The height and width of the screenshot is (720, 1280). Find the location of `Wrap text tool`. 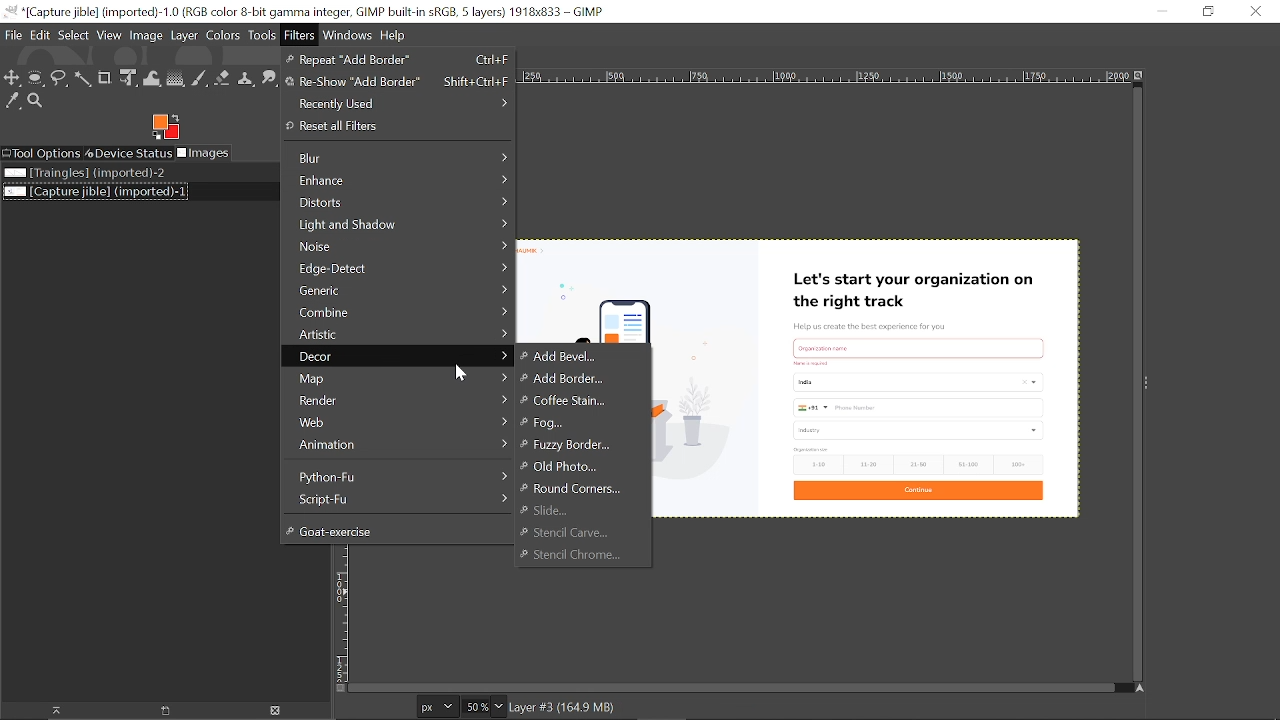

Wrap text tool is located at coordinates (152, 78).